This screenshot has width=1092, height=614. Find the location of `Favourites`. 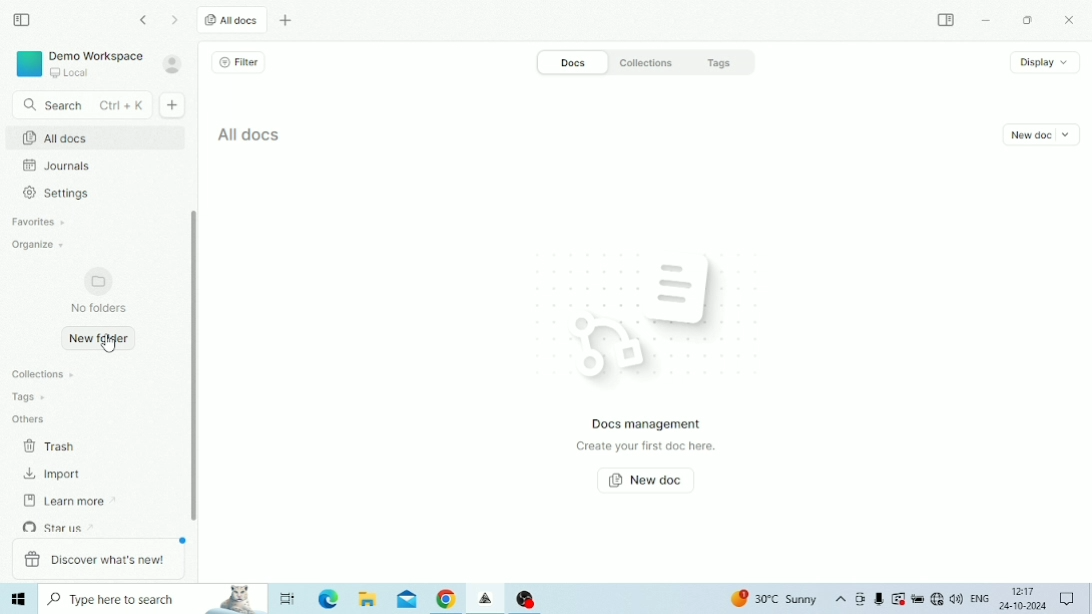

Favourites is located at coordinates (40, 222).